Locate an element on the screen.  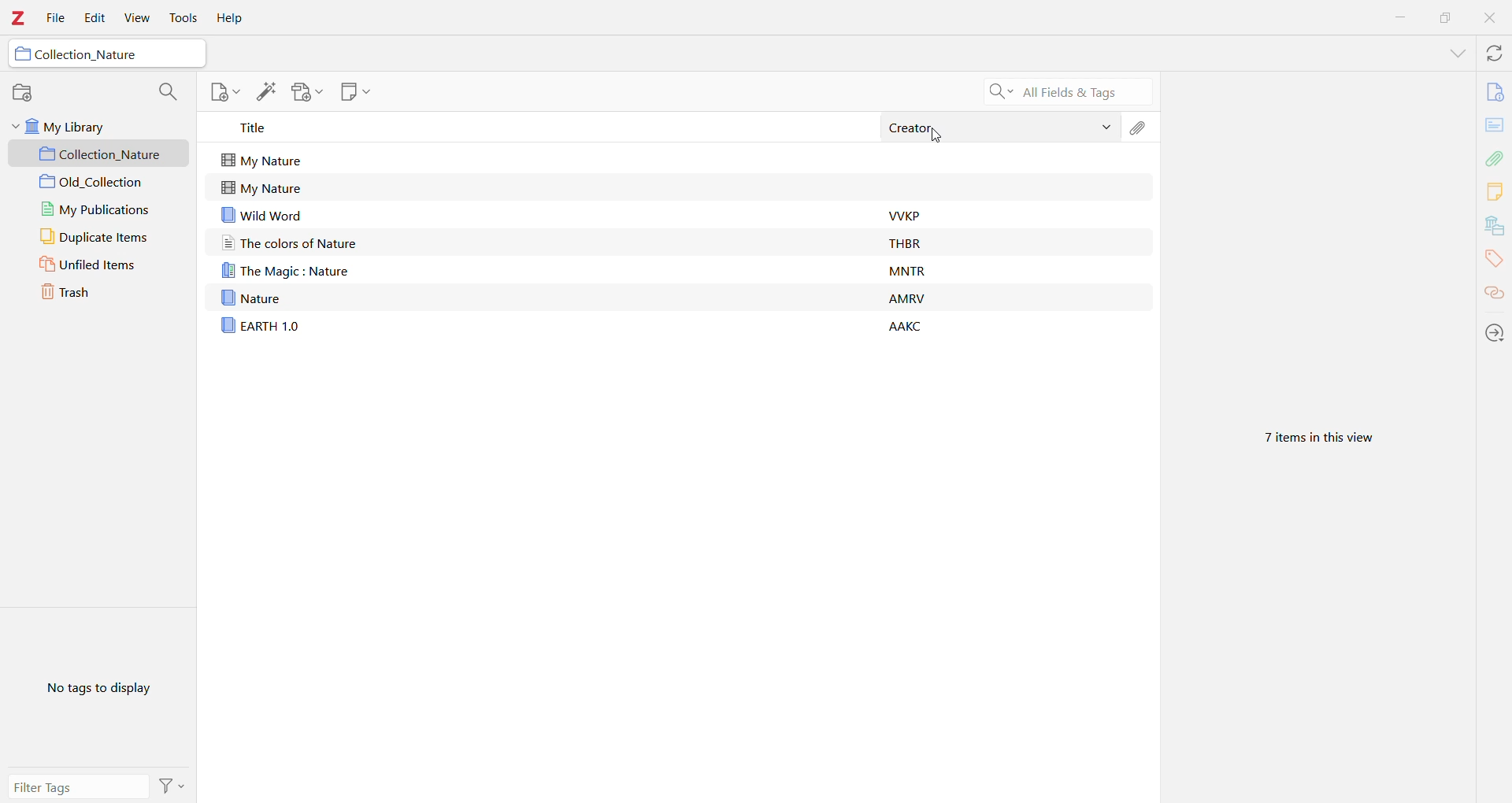
Restore Down is located at coordinates (1447, 17).